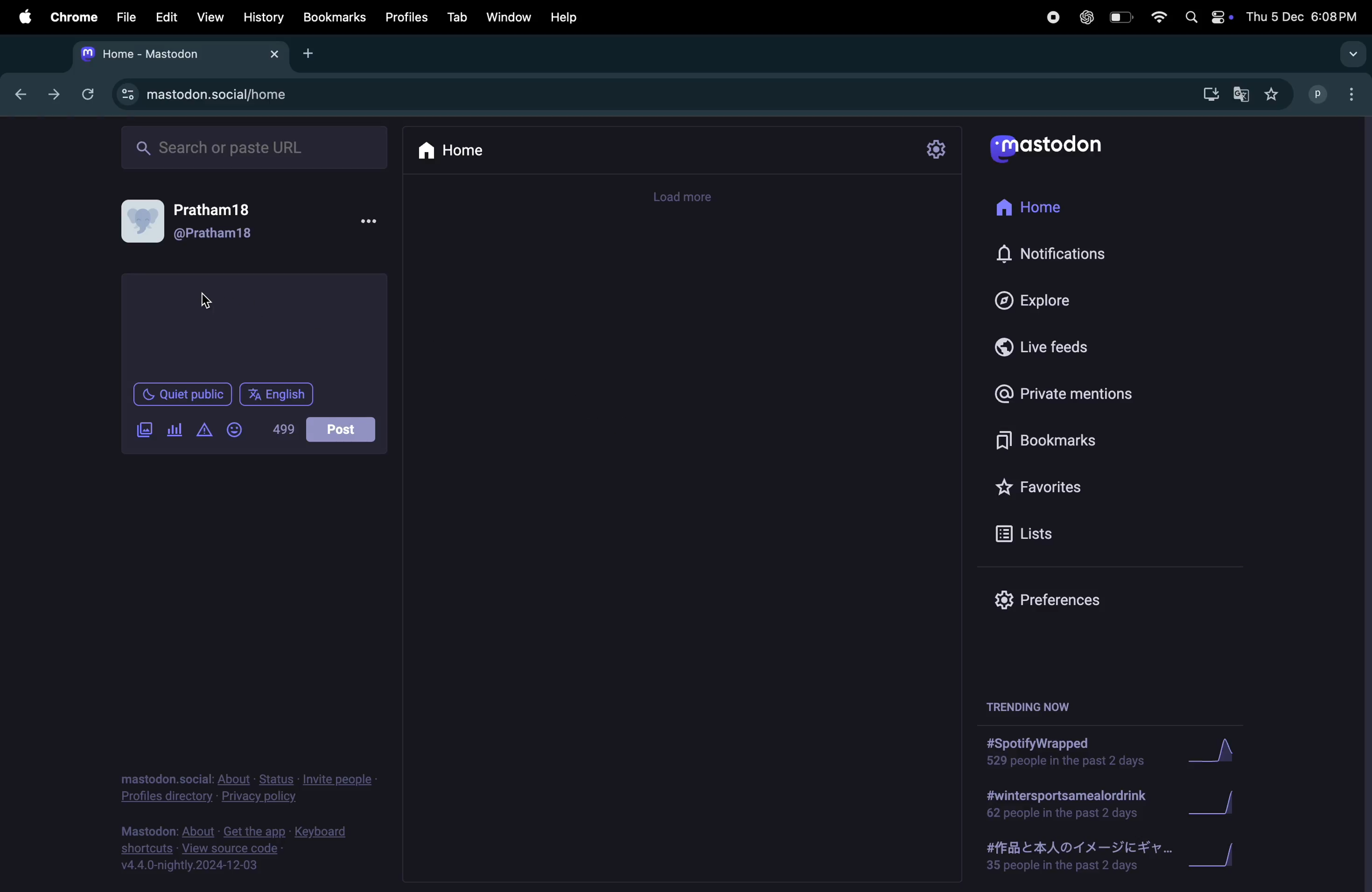 This screenshot has height=892, width=1372. Describe the element at coordinates (285, 428) in the screenshot. I see `499` at that location.